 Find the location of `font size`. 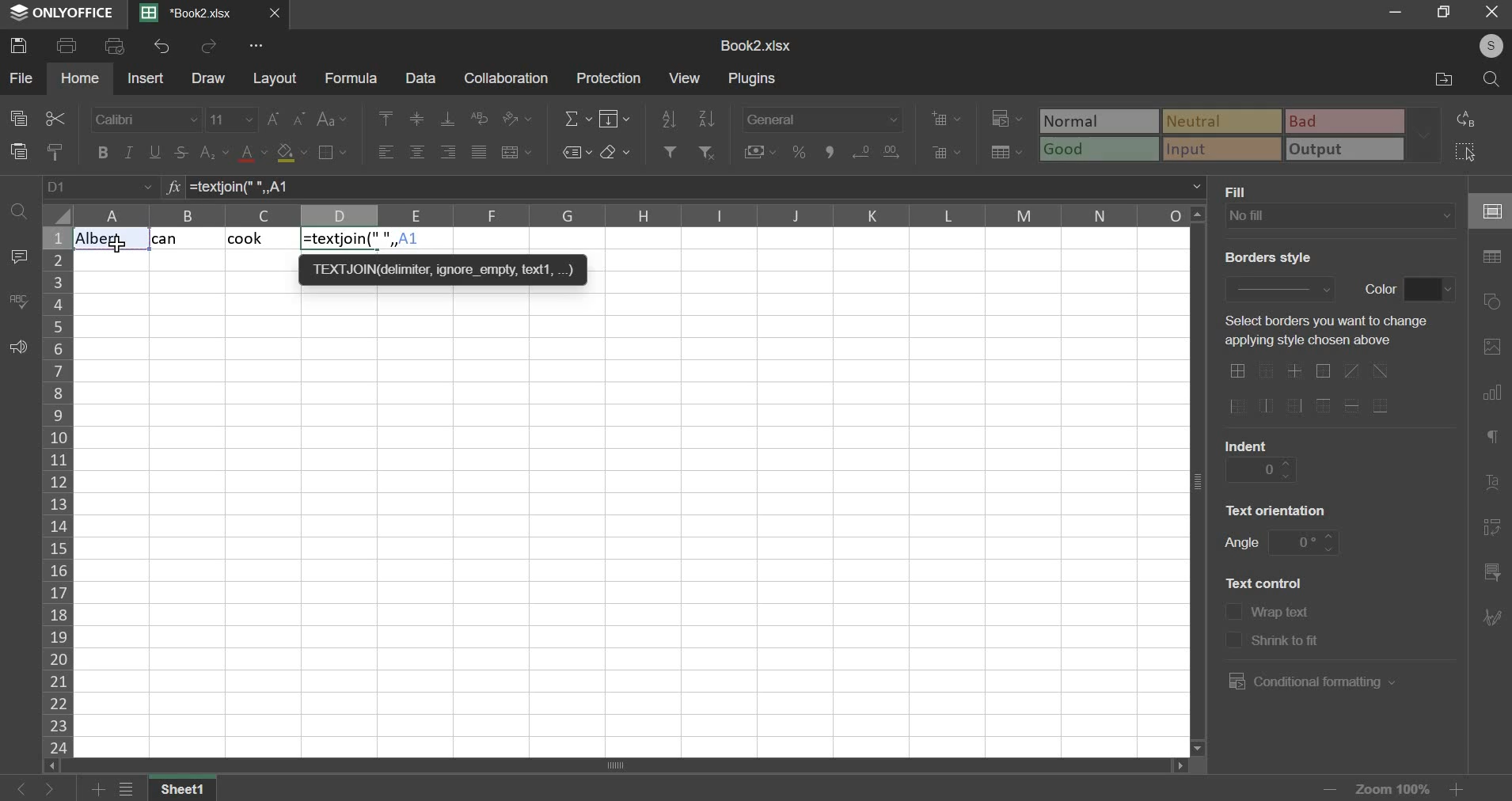

font size is located at coordinates (232, 119).